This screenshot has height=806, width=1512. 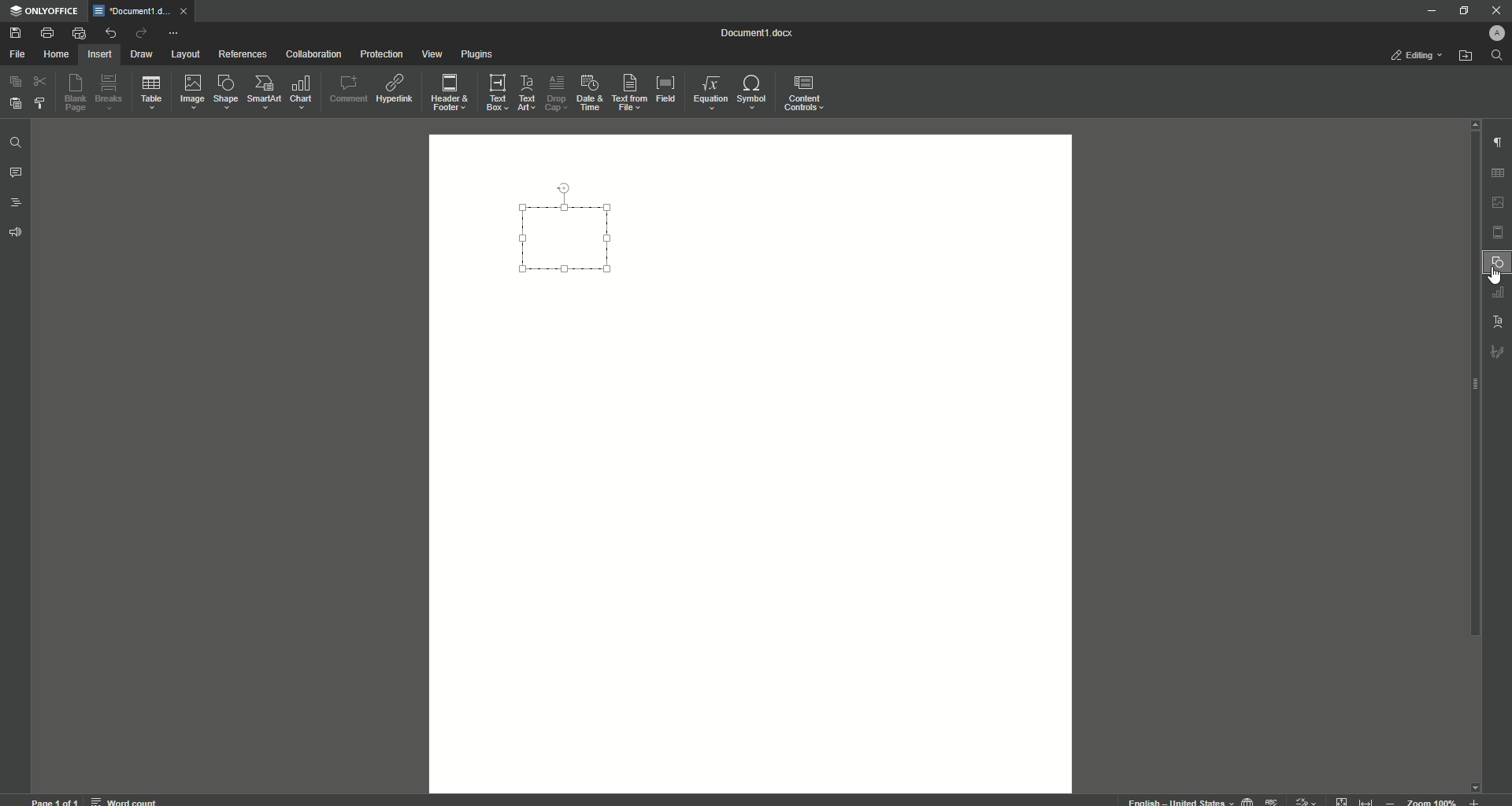 What do you see at coordinates (448, 94) in the screenshot?
I see `Header and Footer` at bounding box center [448, 94].